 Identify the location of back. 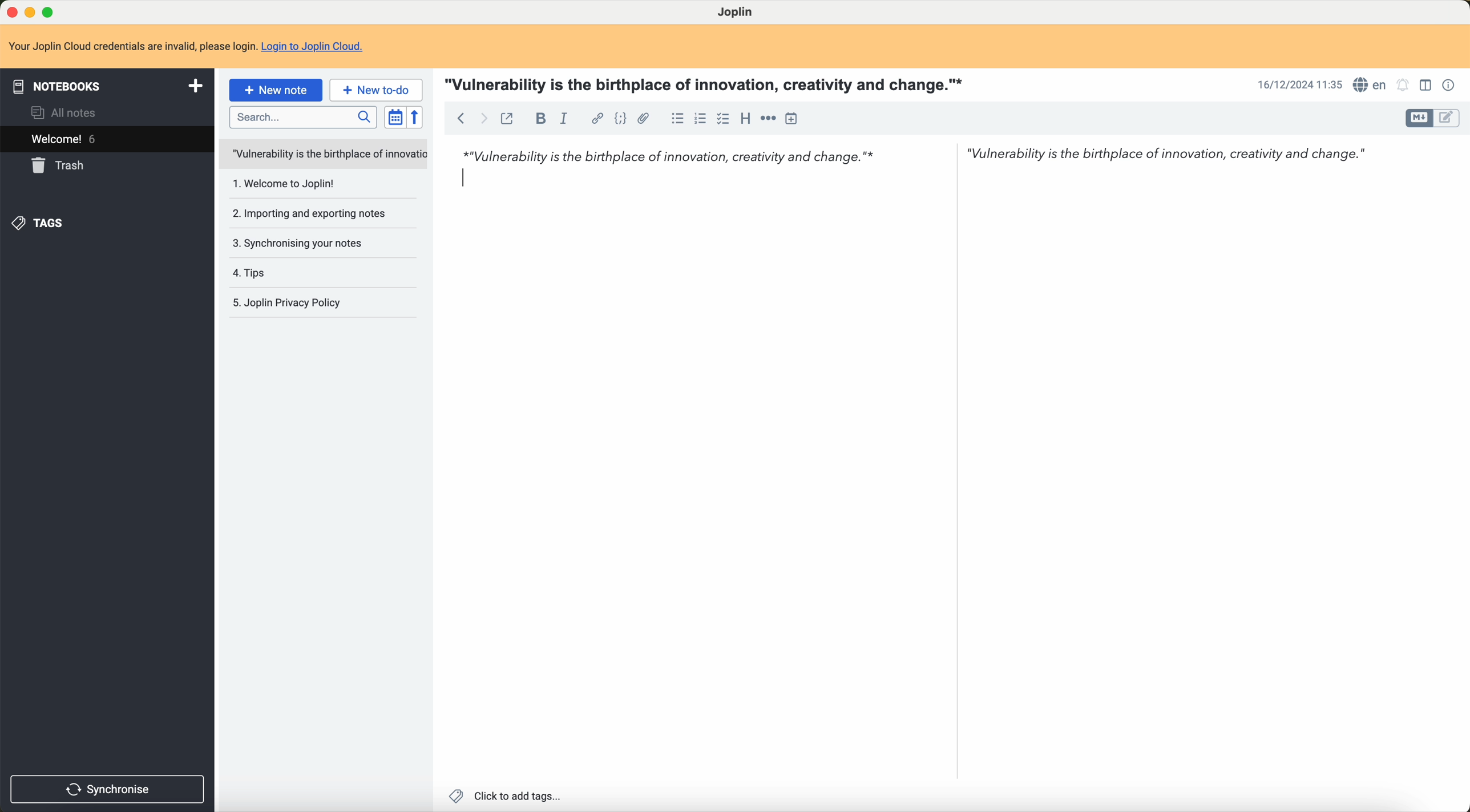
(461, 119).